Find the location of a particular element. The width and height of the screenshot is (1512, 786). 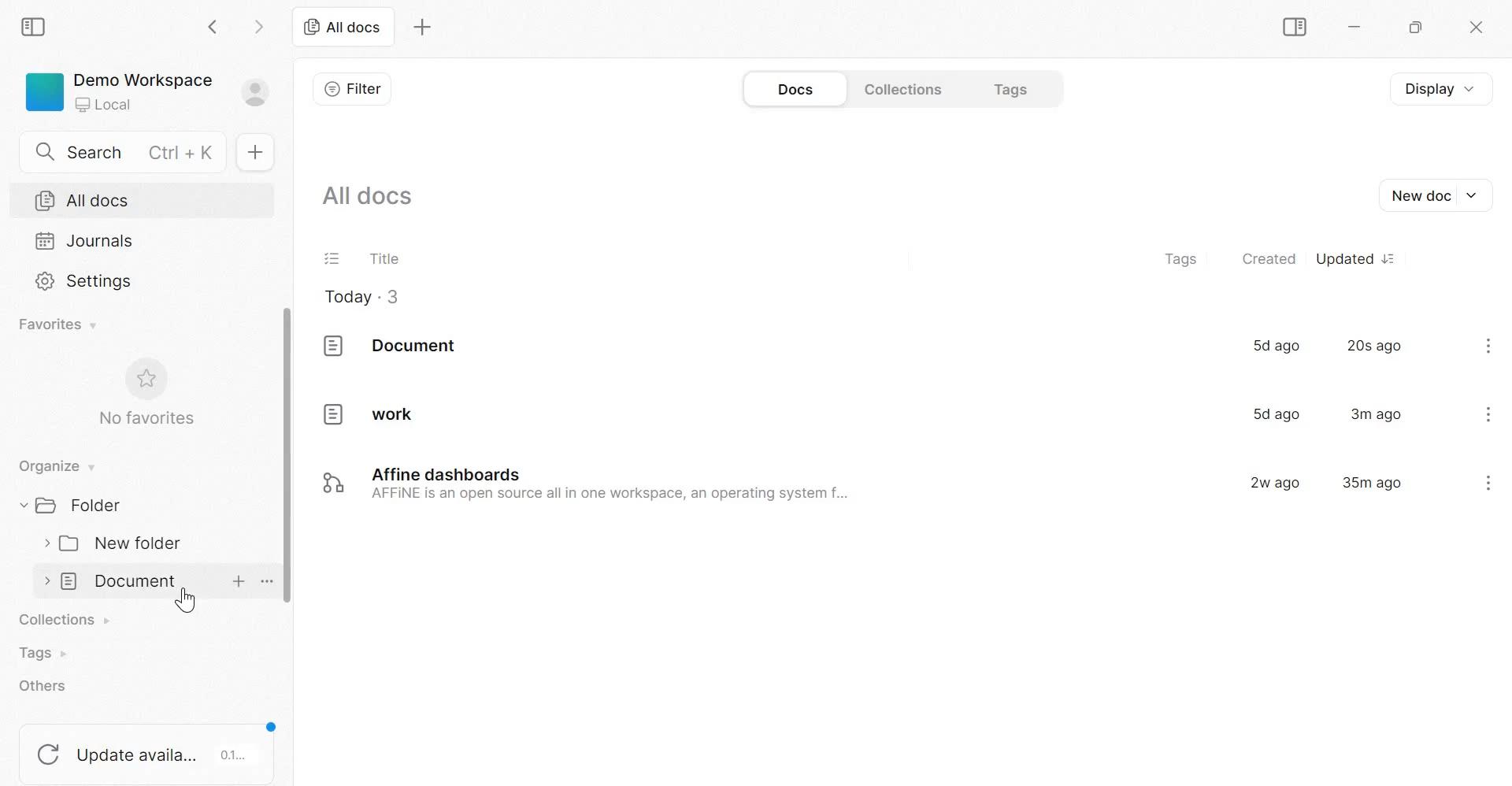

go back is located at coordinates (215, 26).